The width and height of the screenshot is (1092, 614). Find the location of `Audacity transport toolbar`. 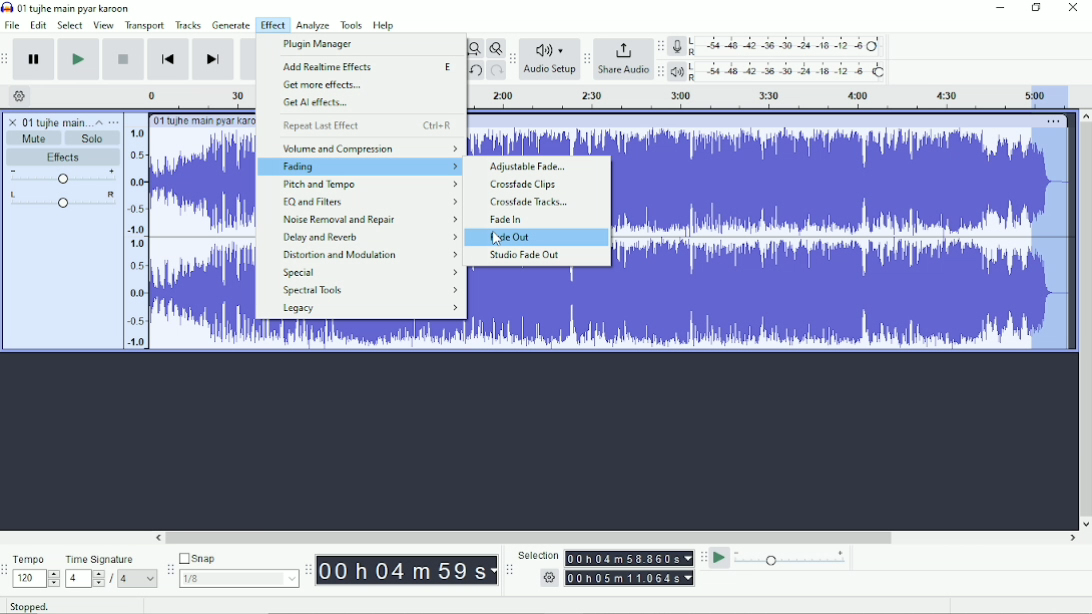

Audacity transport toolbar is located at coordinates (7, 59).